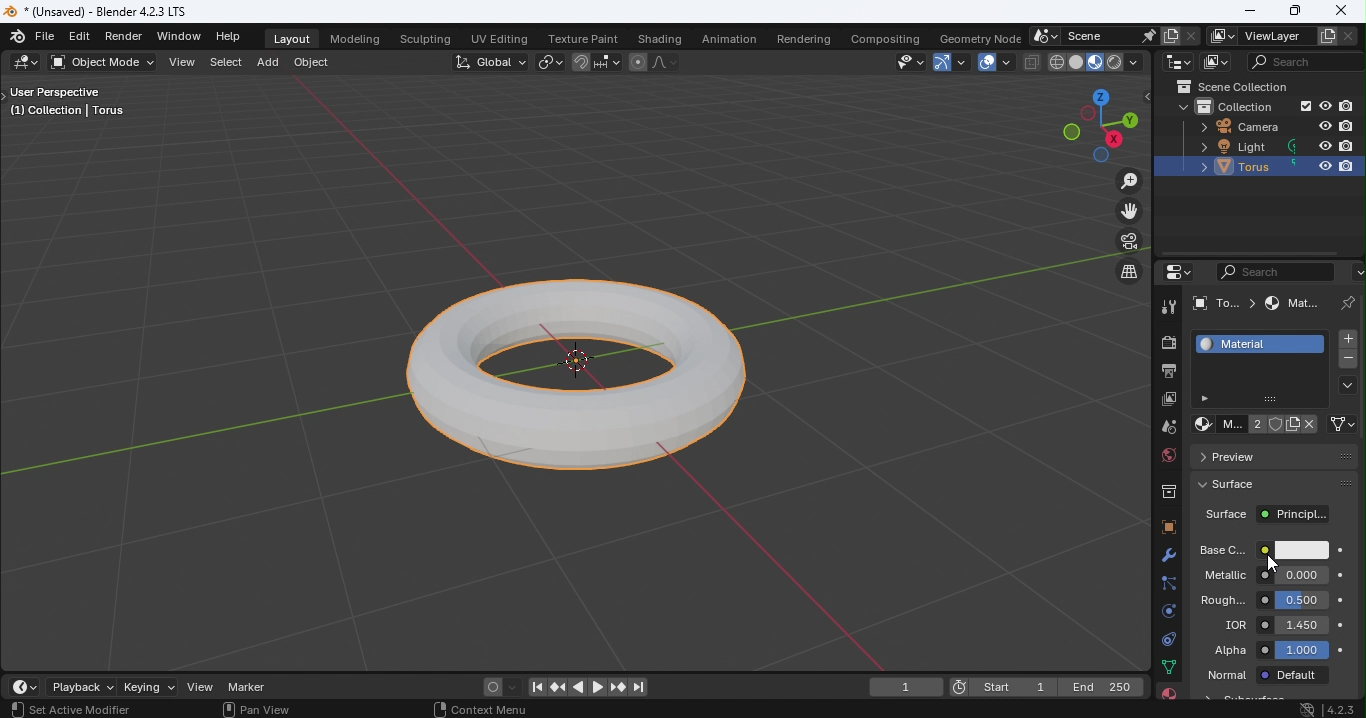  I want to click on Add view layer, so click(1329, 35).